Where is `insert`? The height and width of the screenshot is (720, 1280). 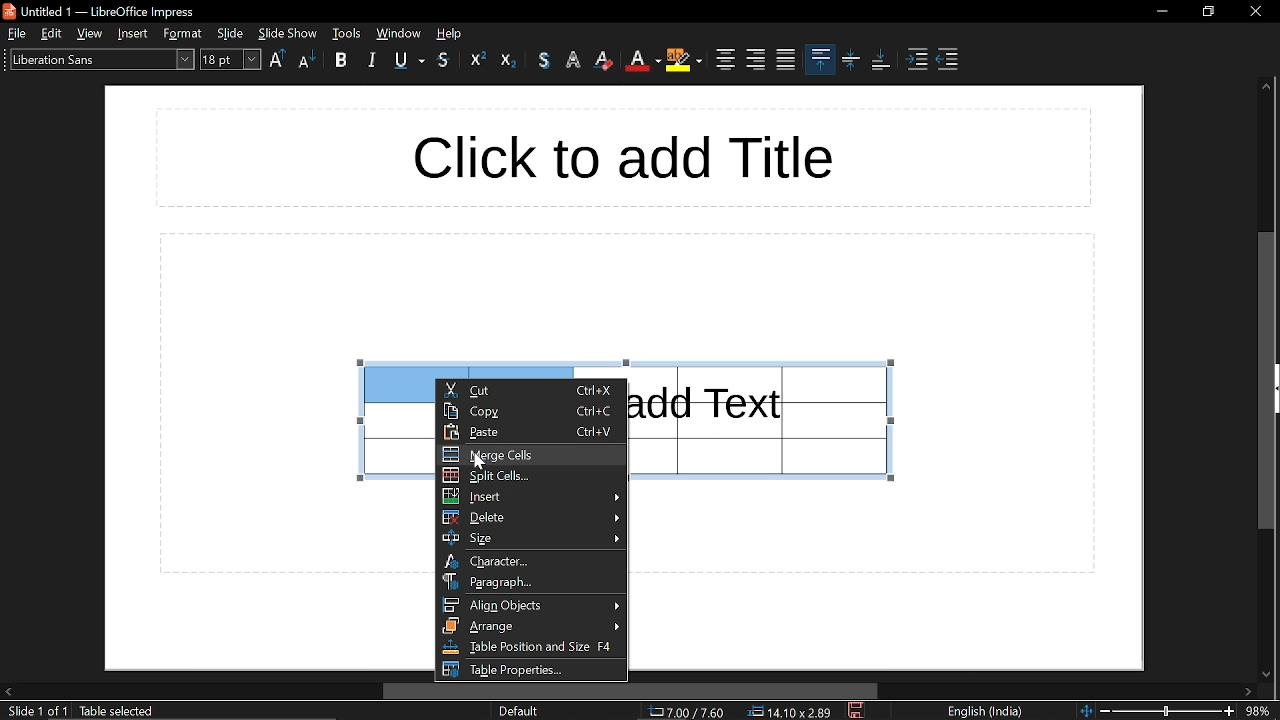 insert is located at coordinates (530, 497).